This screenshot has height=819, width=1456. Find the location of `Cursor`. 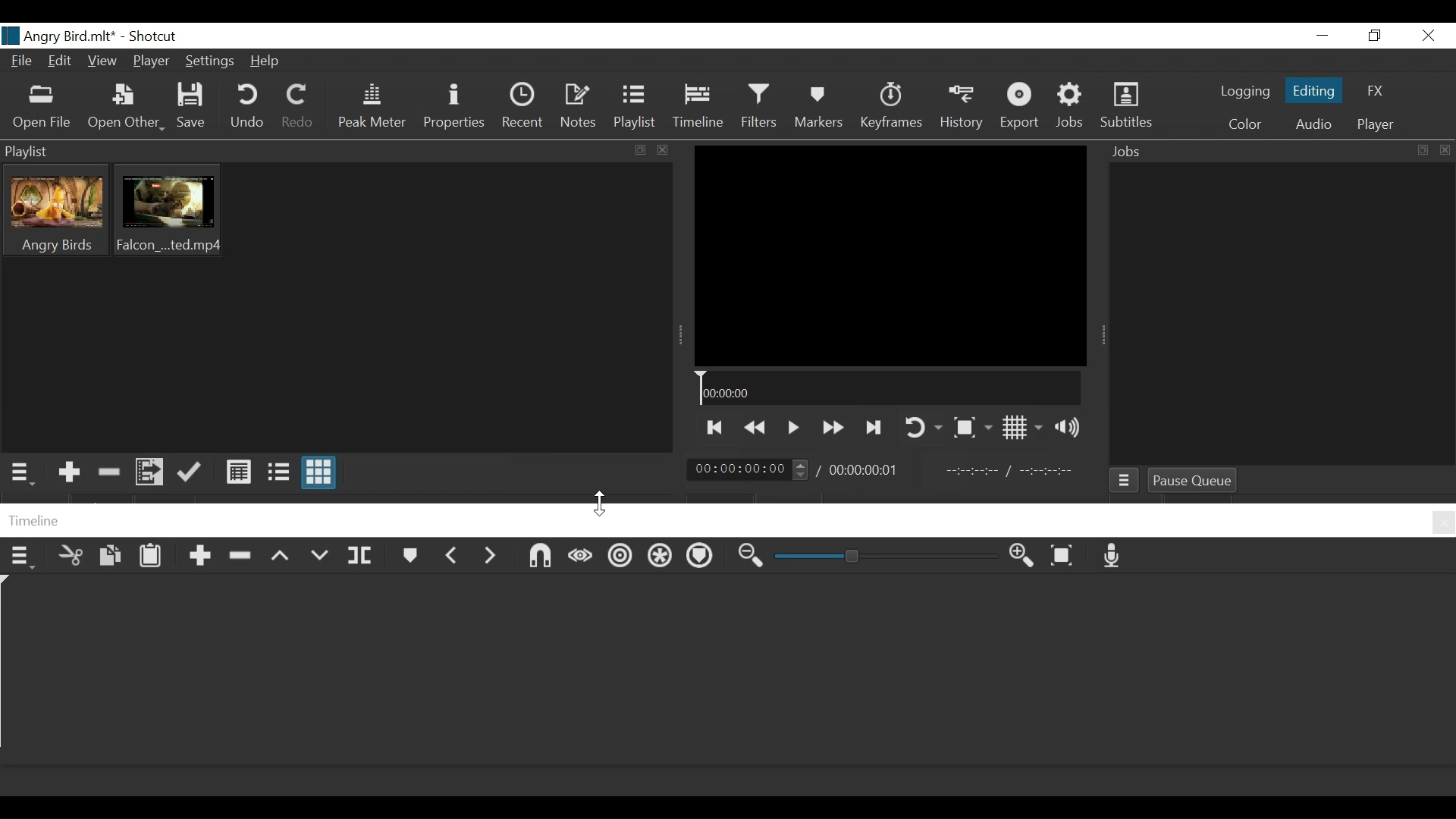

Cursor is located at coordinates (599, 503).